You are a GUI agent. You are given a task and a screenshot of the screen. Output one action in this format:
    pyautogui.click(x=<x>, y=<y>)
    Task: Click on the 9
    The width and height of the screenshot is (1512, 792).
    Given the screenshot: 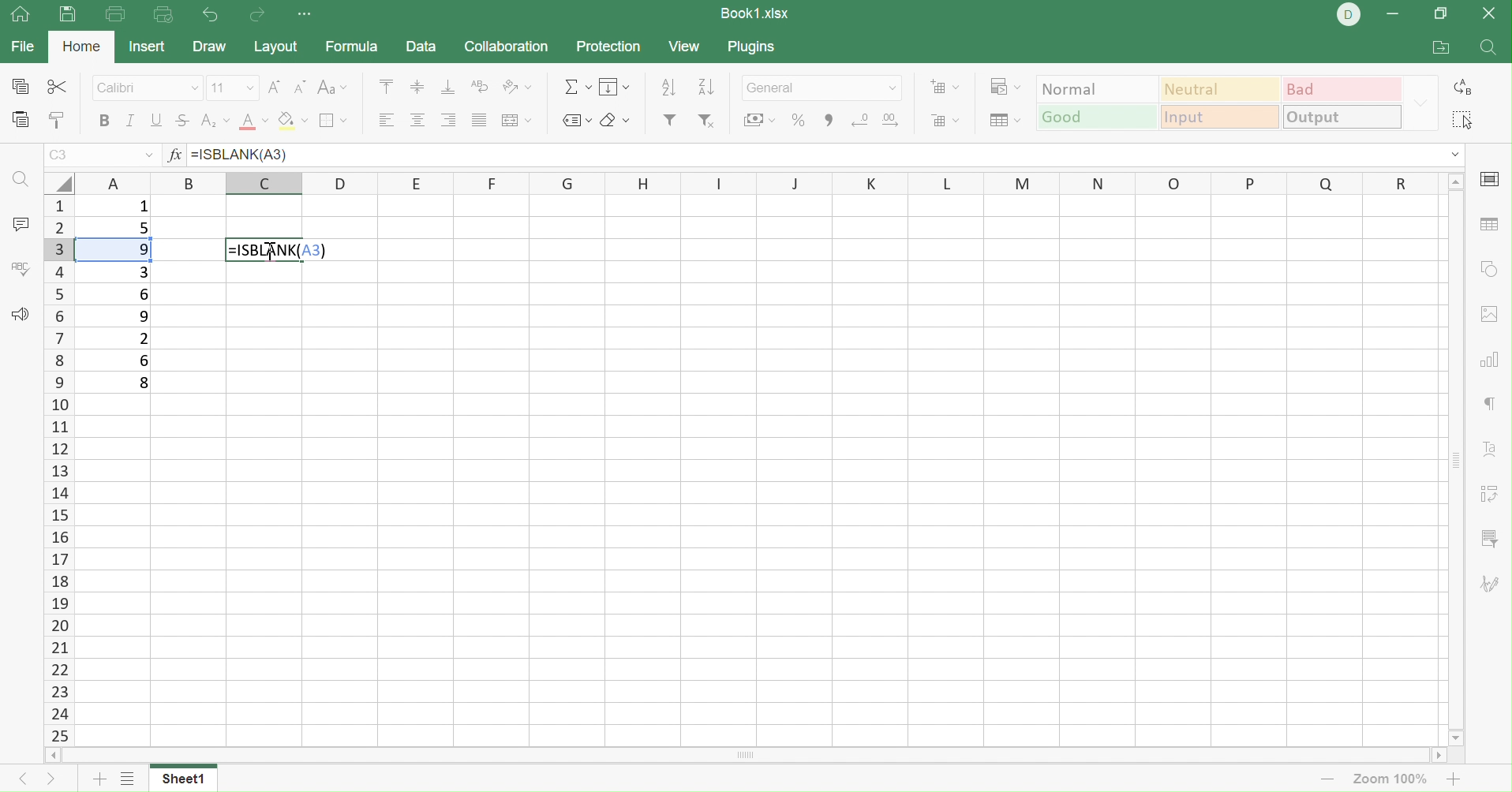 What is the action you would take?
    pyautogui.click(x=142, y=249)
    